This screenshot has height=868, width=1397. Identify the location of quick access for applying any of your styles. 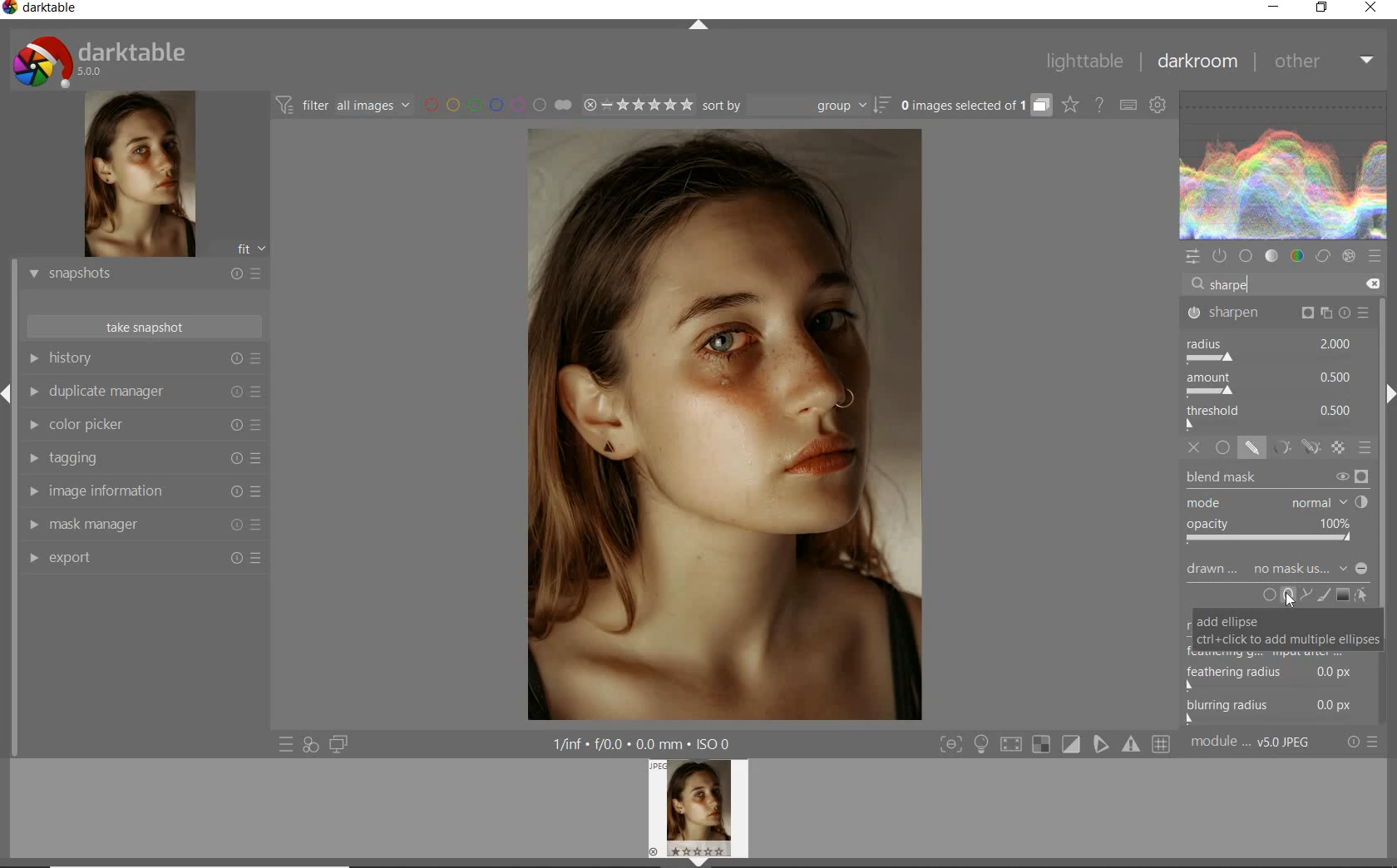
(309, 745).